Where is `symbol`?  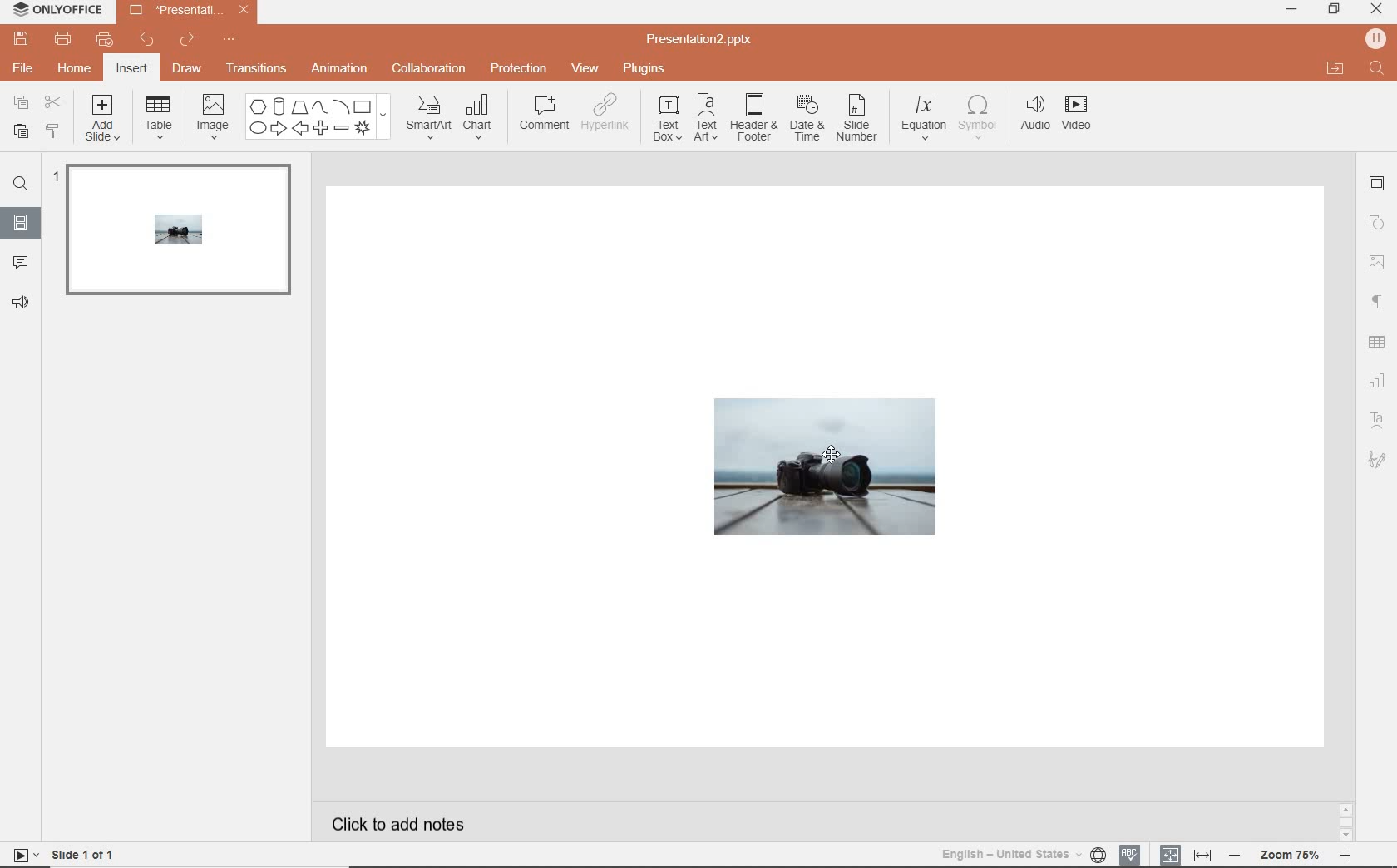
symbol is located at coordinates (980, 117).